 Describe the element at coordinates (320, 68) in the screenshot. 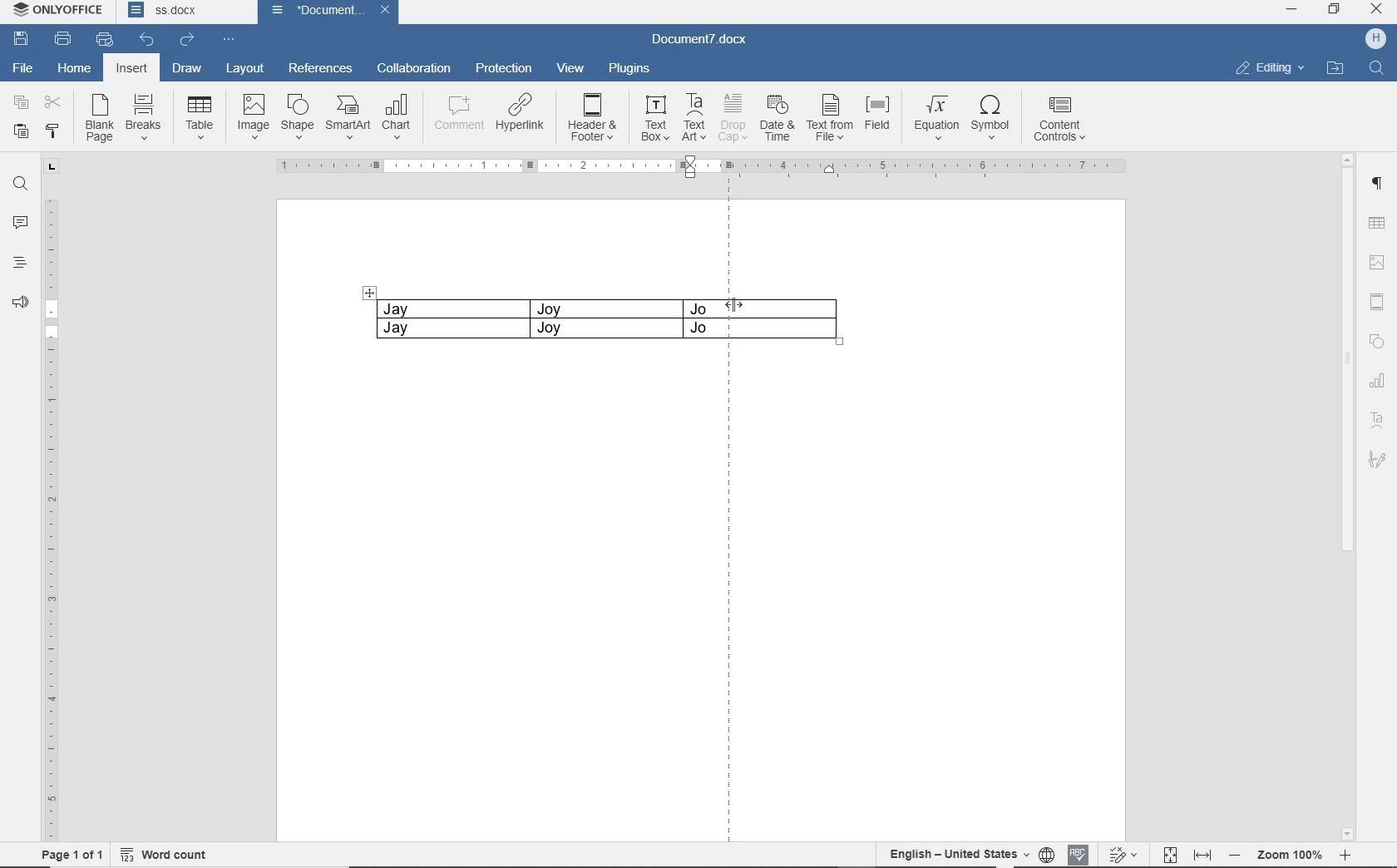

I see `REFERENCES` at that location.